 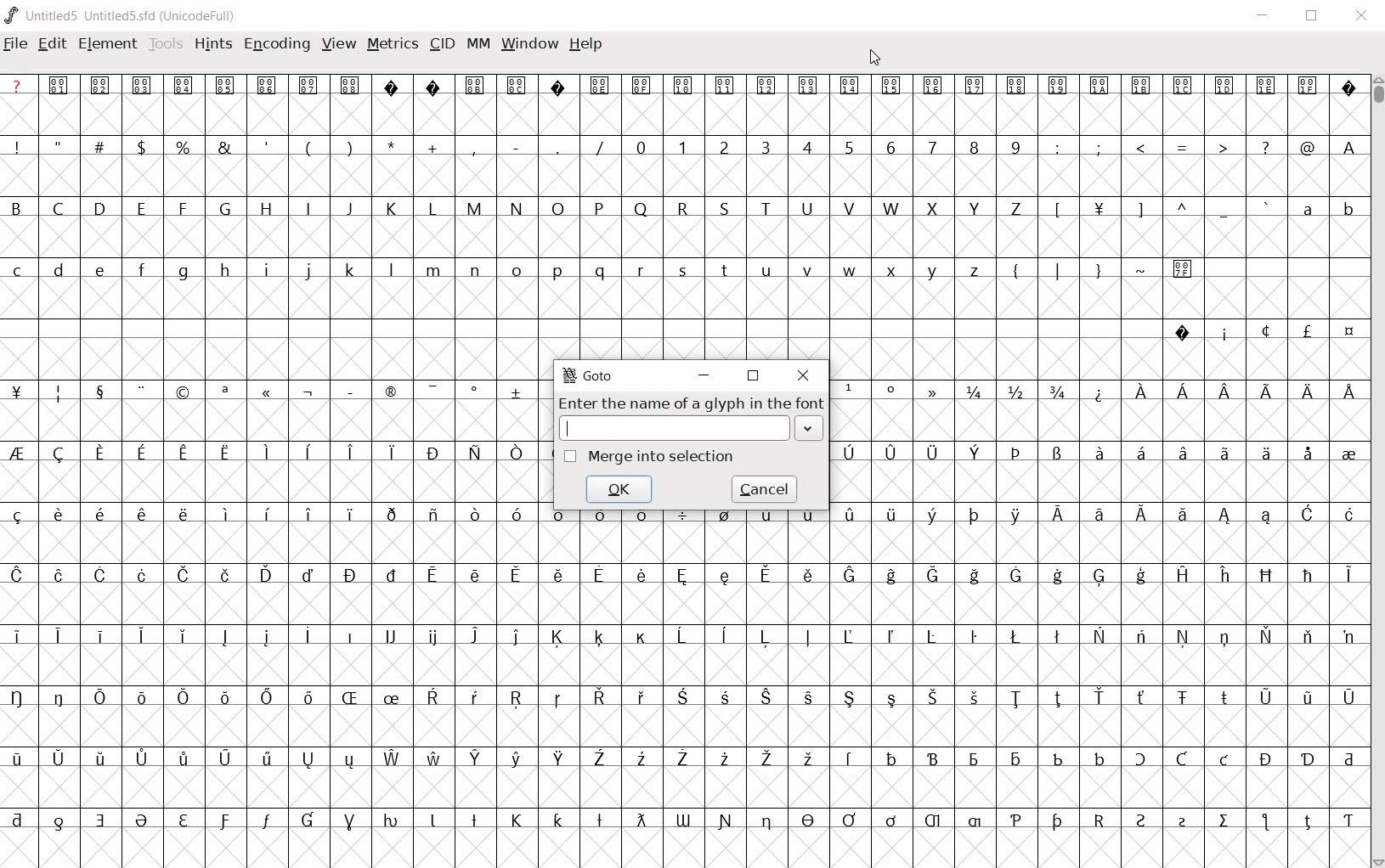 What do you see at coordinates (1348, 697) in the screenshot?
I see `Symbol` at bounding box center [1348, 697].